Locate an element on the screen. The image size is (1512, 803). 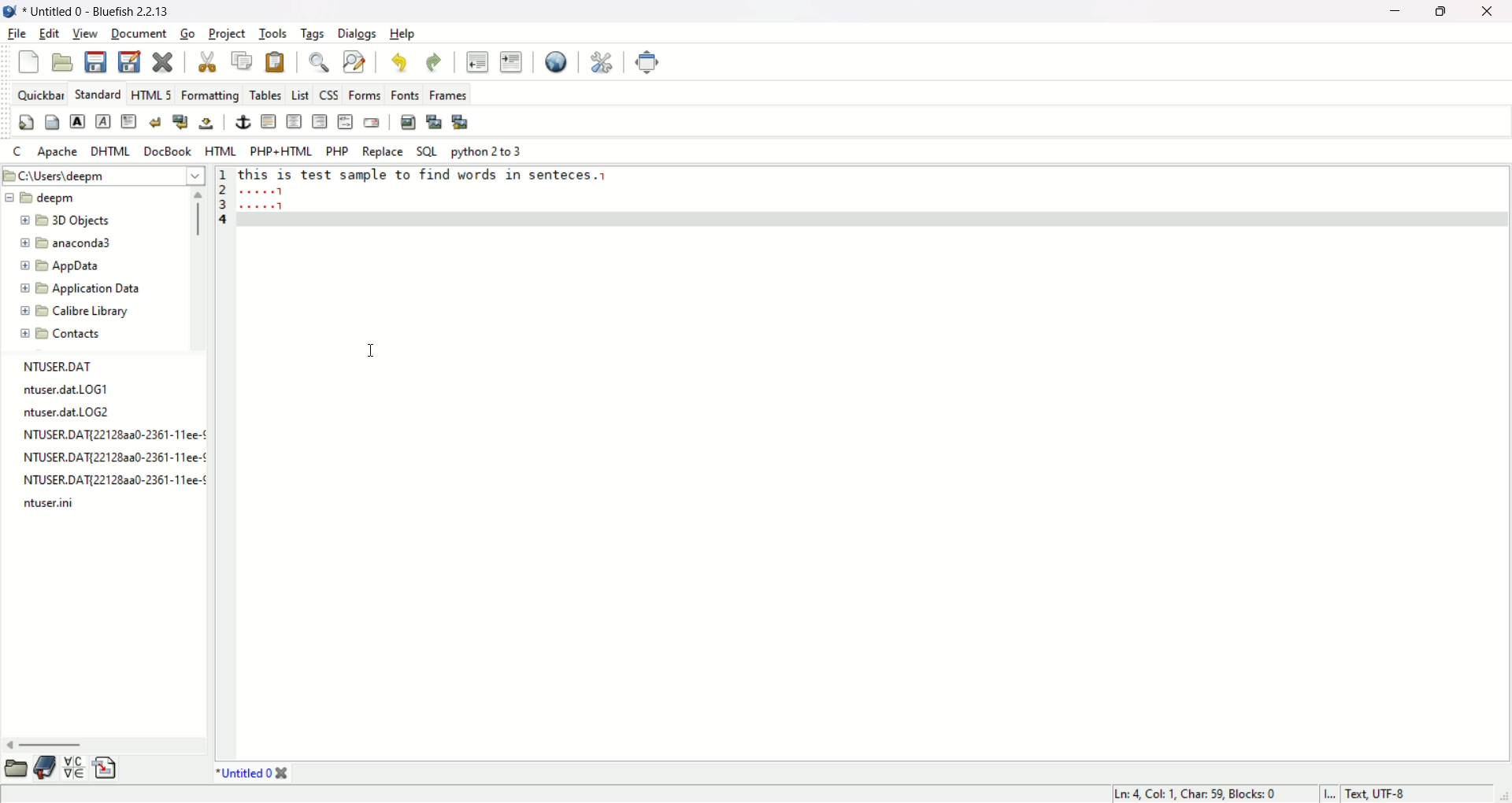
css is located at coordinates (328, 94).